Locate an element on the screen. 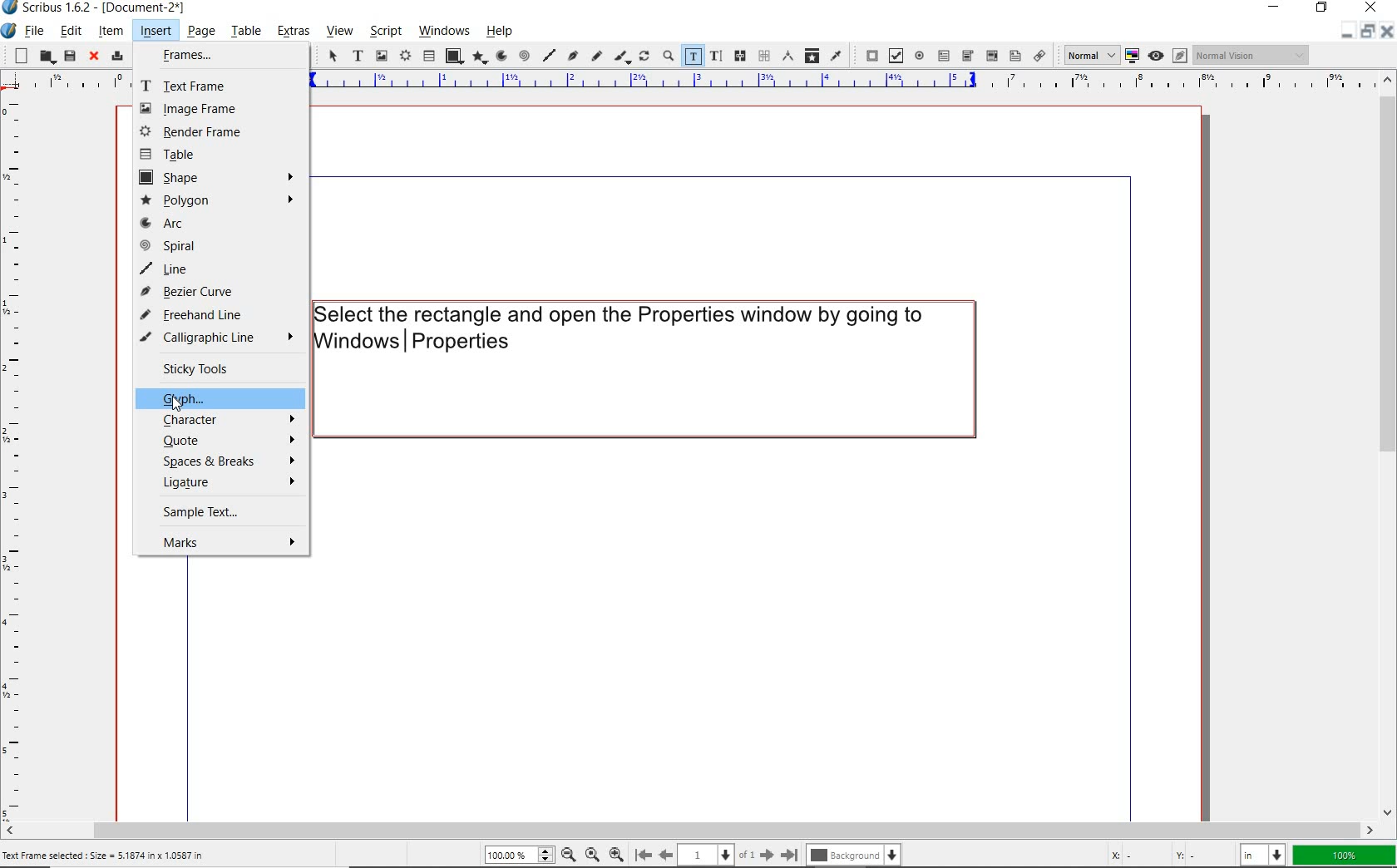 The height and width of the screenshot is (868, 1397). table is located at coordinates (212, 155).